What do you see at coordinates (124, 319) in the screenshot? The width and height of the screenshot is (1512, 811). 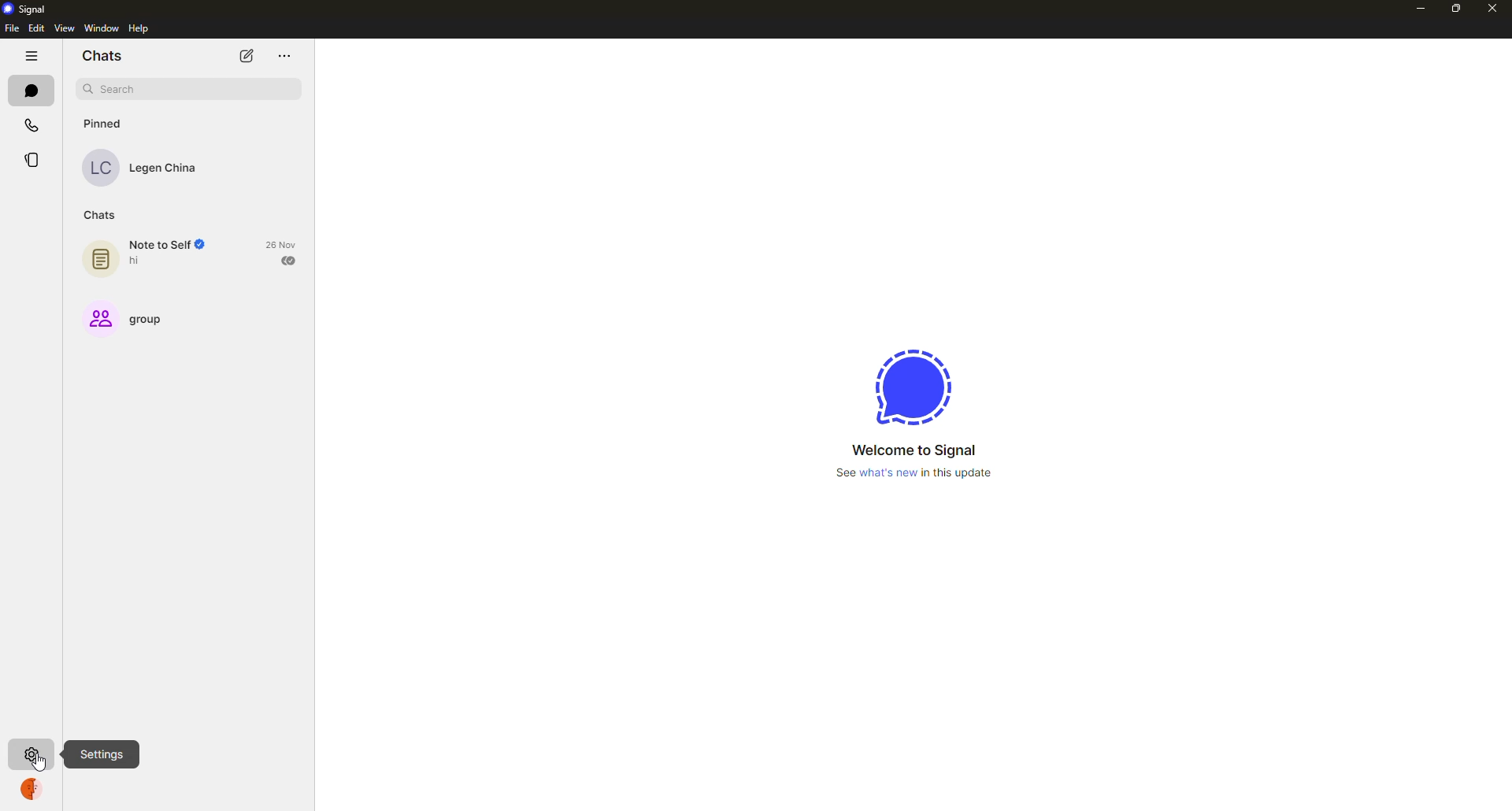 I see `group` at bounding box center [124, 319].